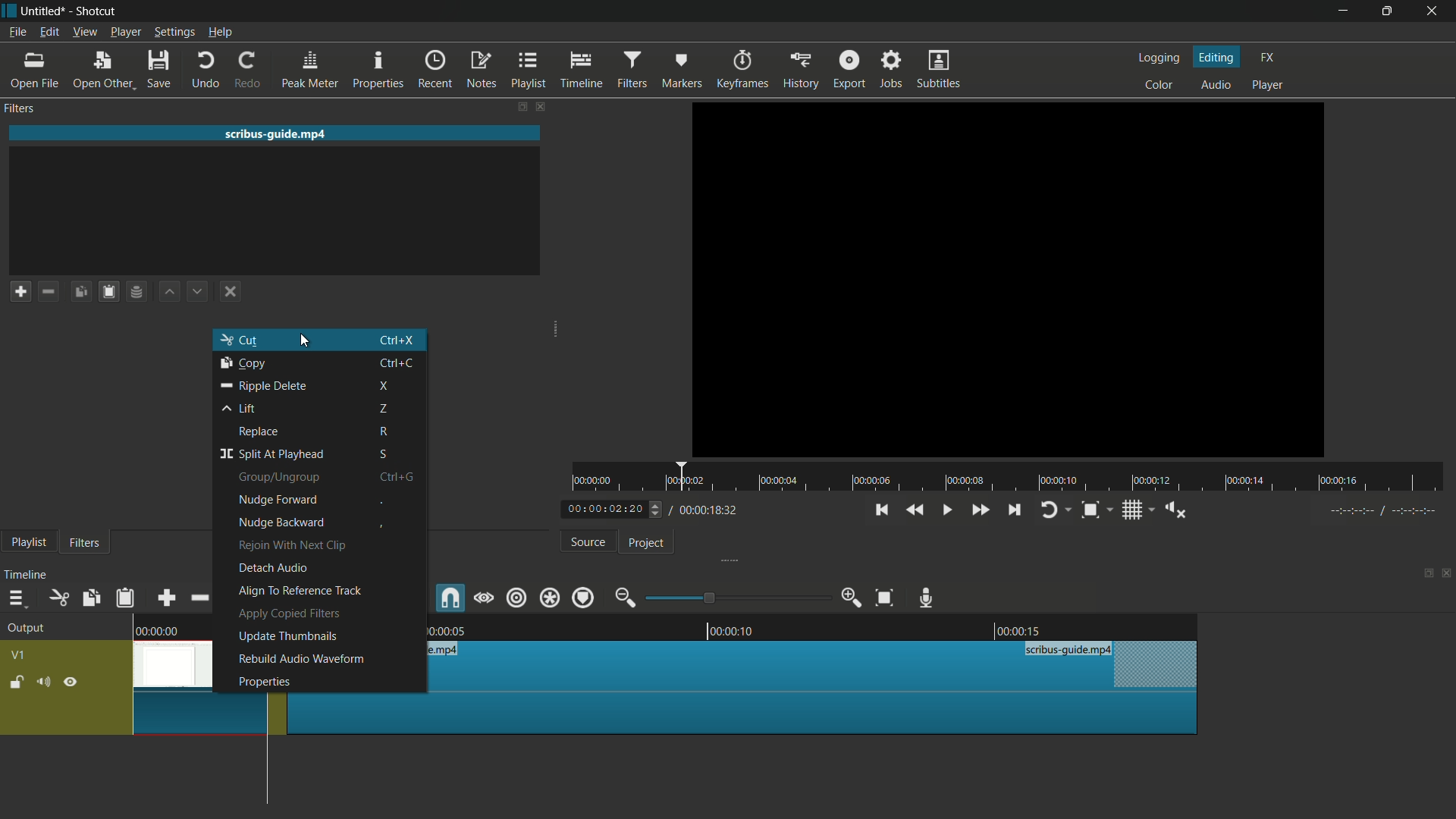  Describe the element at coordinates (58, 598) in the screenshot. I see `cut` at that location.